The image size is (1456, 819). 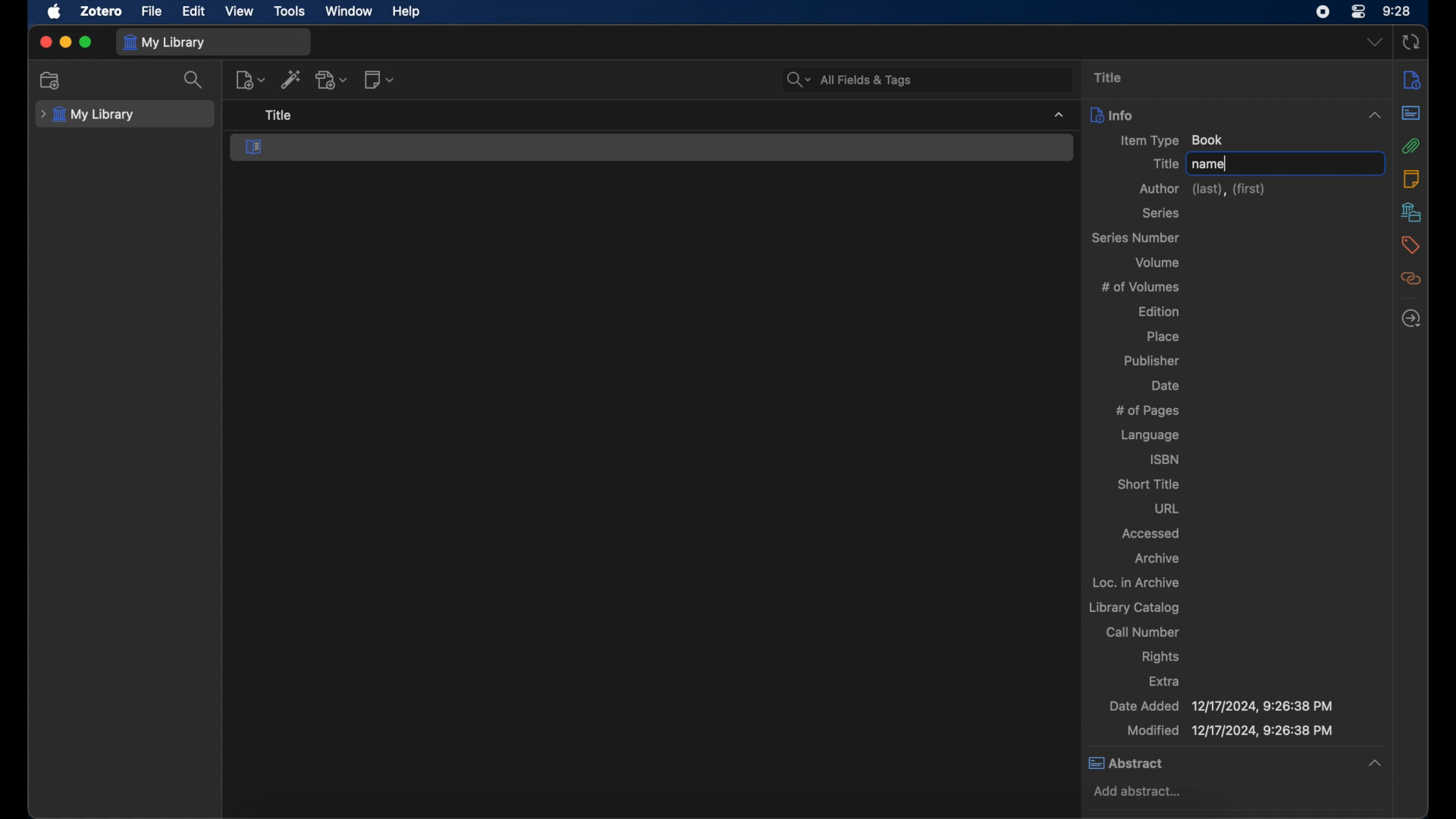 I want to click on related, so click(x=1410, y=278).